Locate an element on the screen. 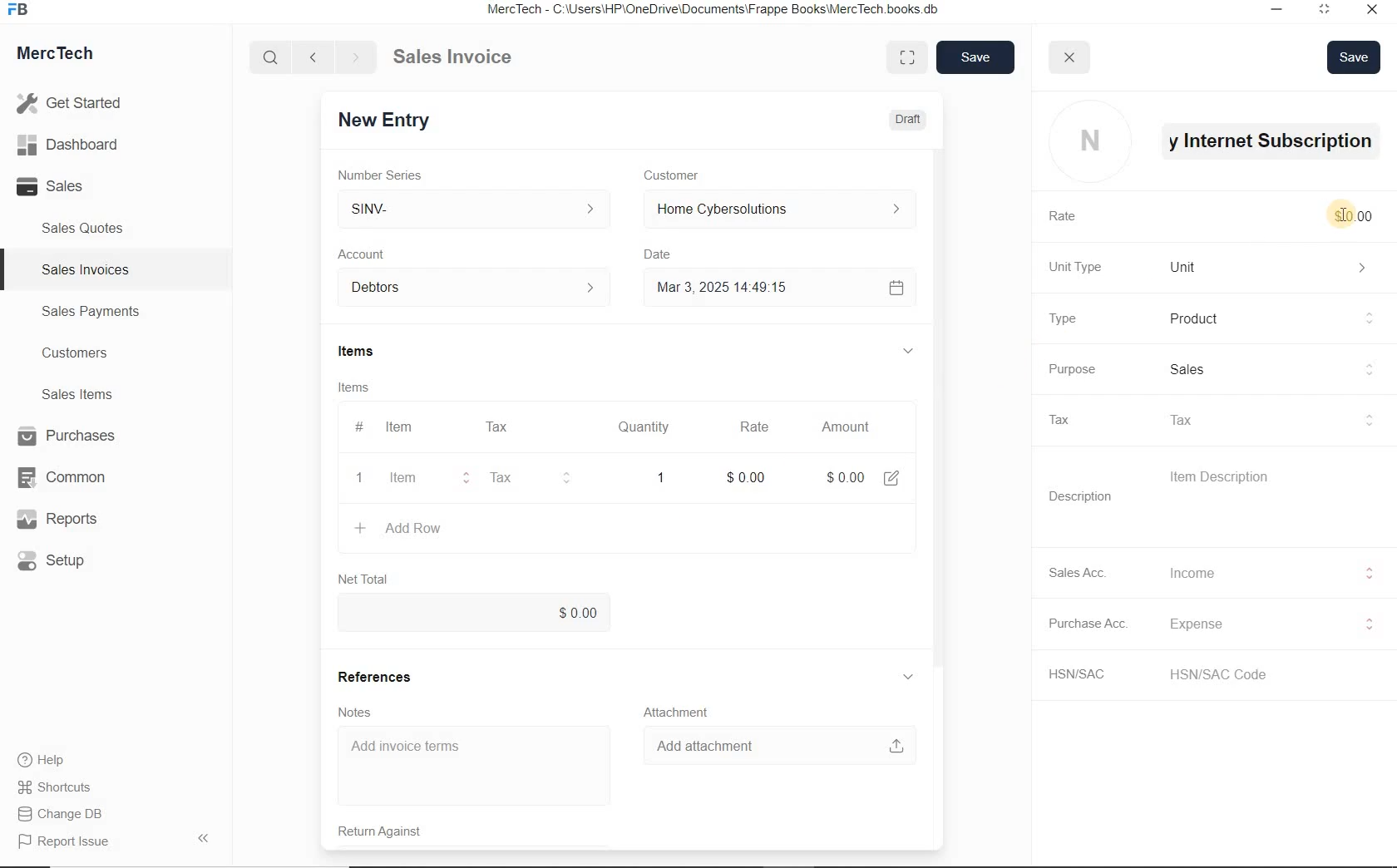  Description is located at coordinates (1081, 496).